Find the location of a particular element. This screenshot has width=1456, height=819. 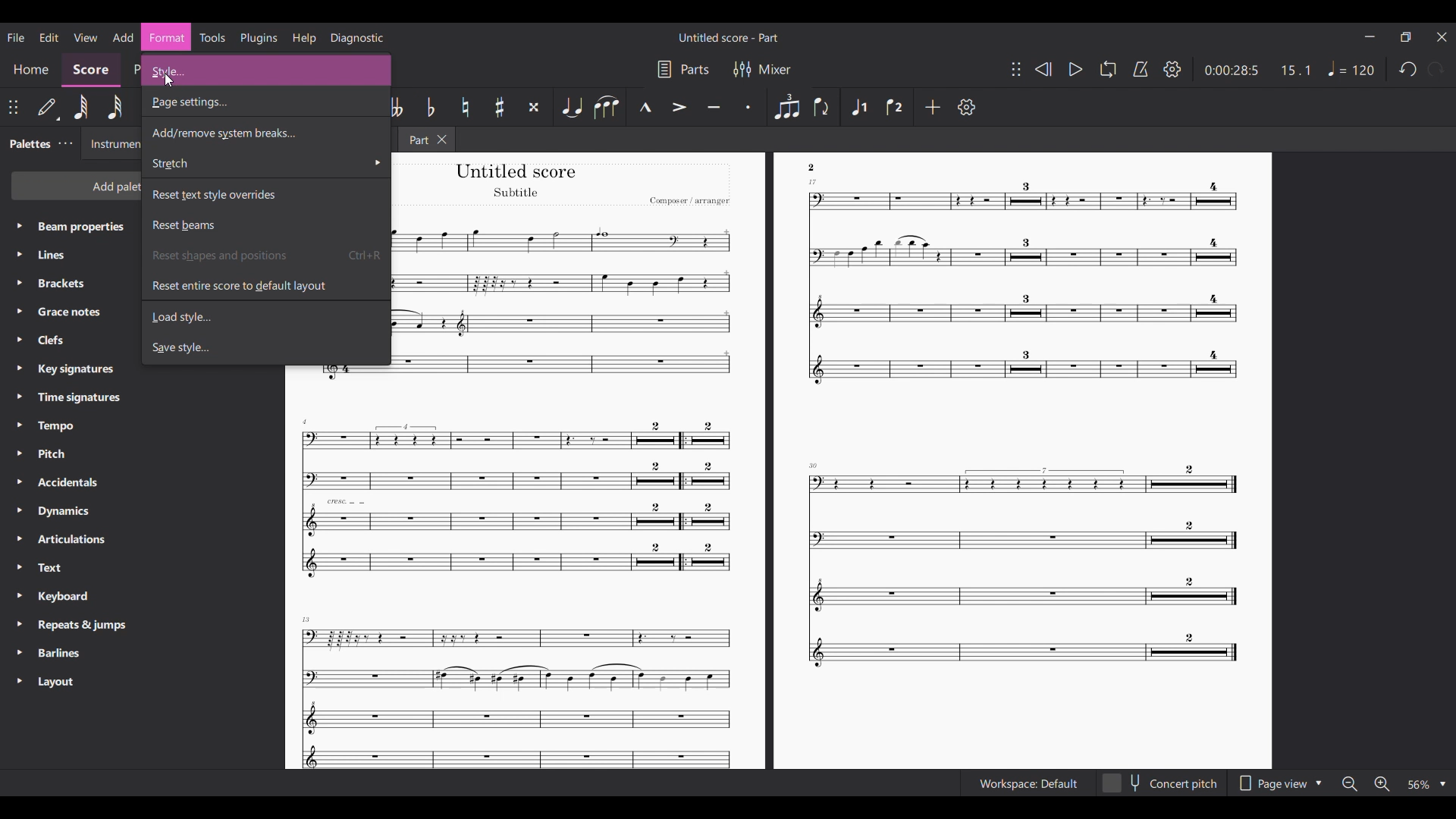

Keyboard is located at coordinates (66, 597).